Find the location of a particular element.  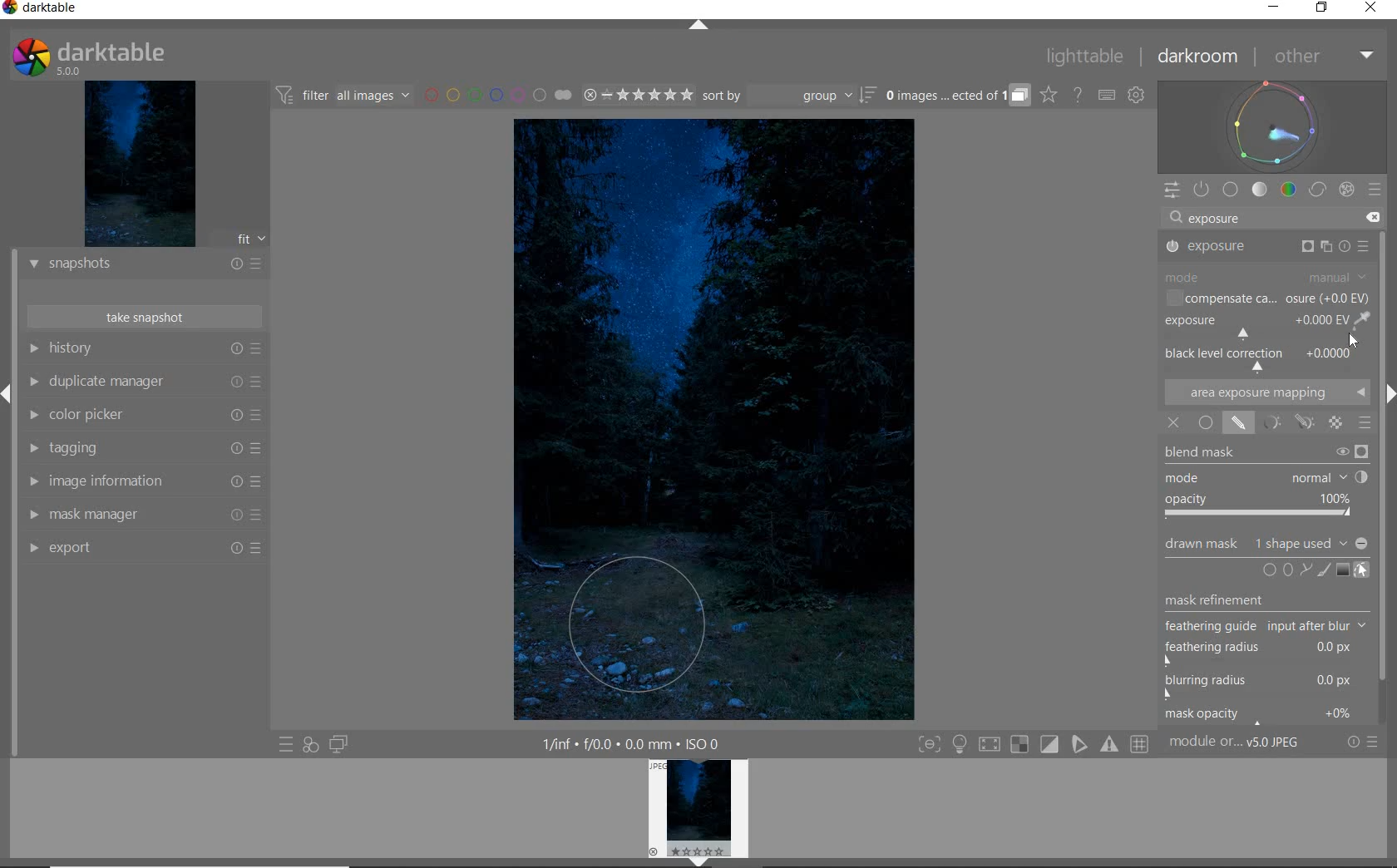

WAVEFORM is located at coordinates (1271, 126).